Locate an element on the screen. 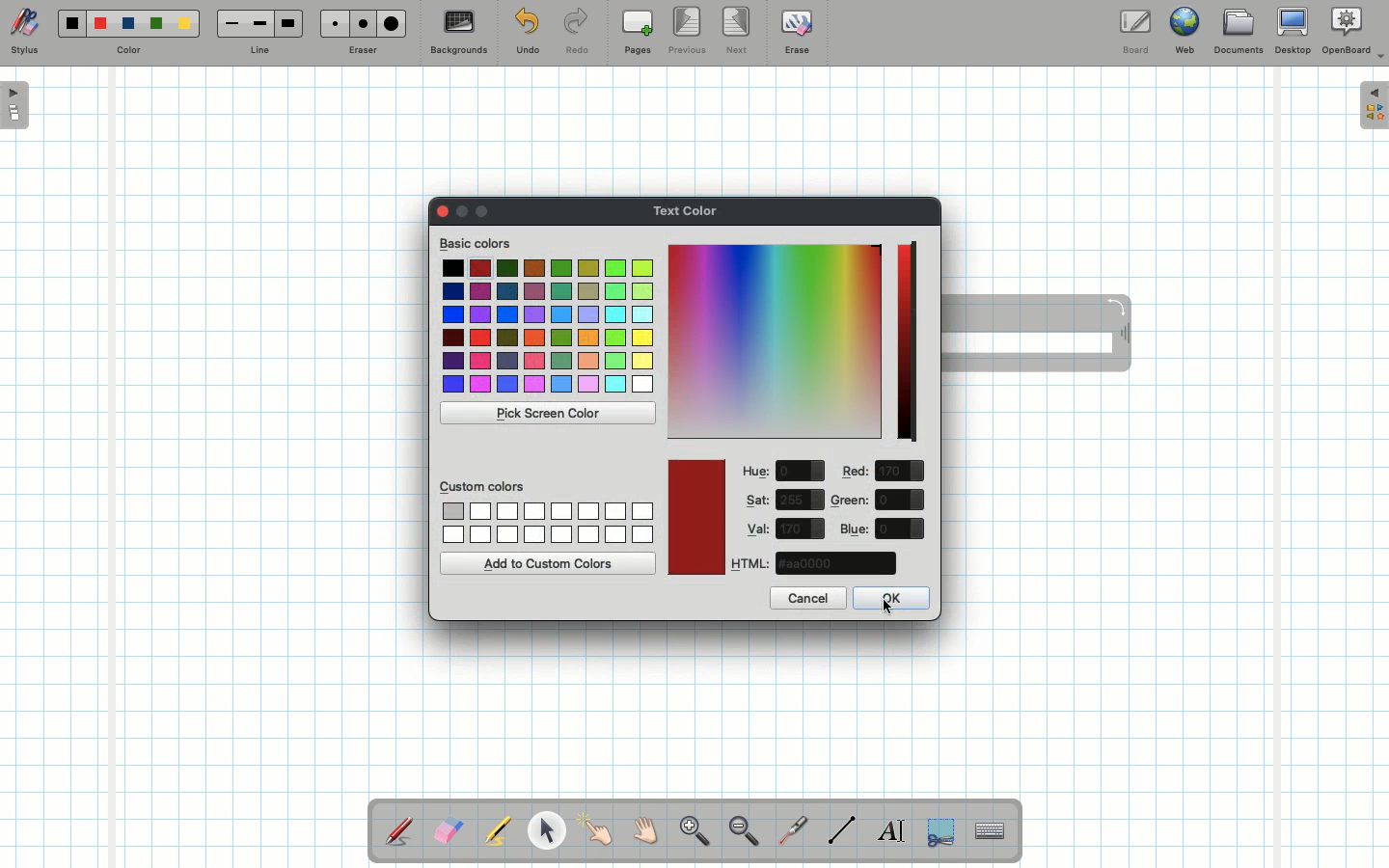 The width and height of the screenshot is (1389, 868). Sat is located at coordinates (758, 500).